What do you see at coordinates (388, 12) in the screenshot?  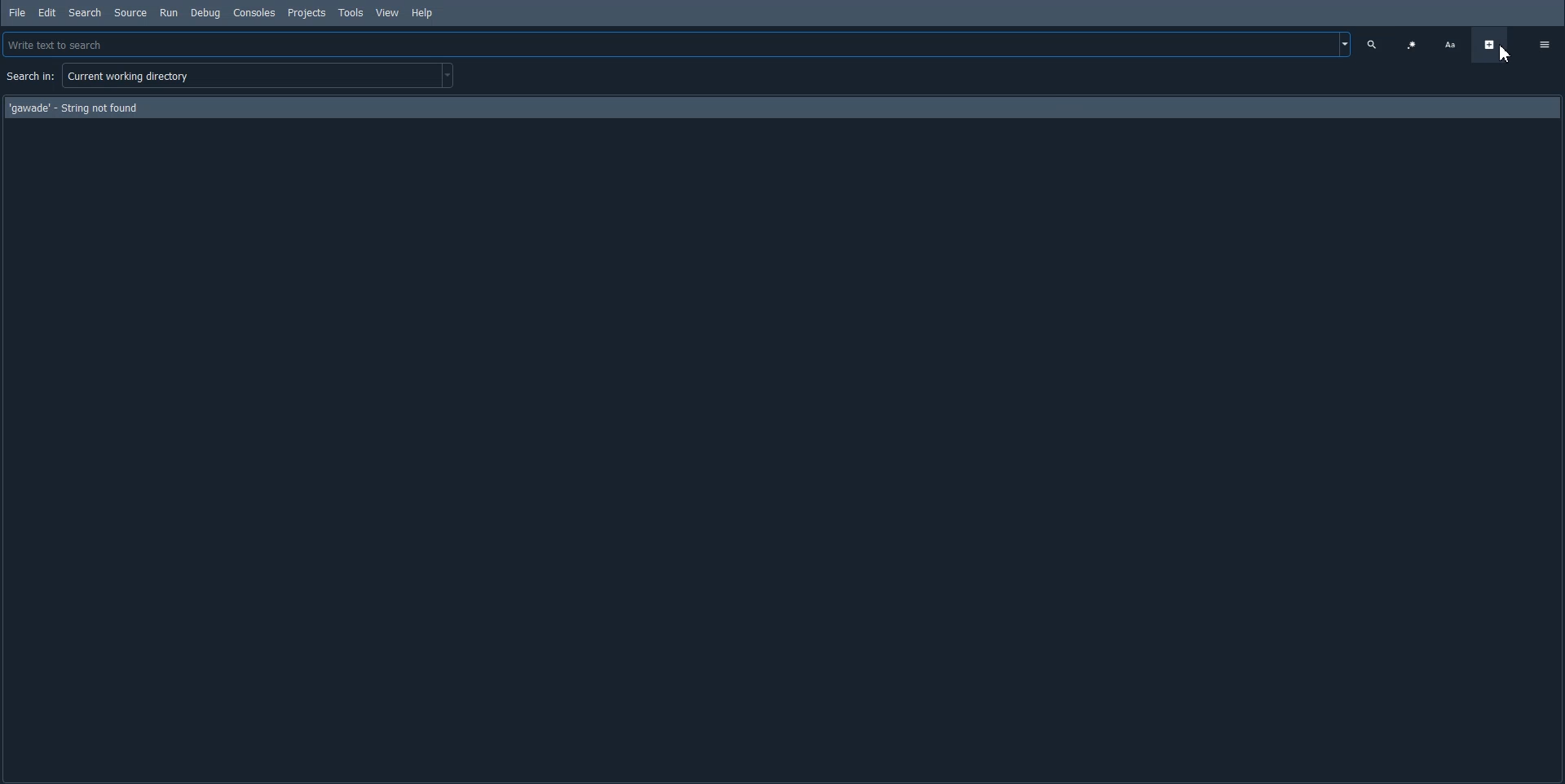 I see `View` at bounding box center [388, 12].